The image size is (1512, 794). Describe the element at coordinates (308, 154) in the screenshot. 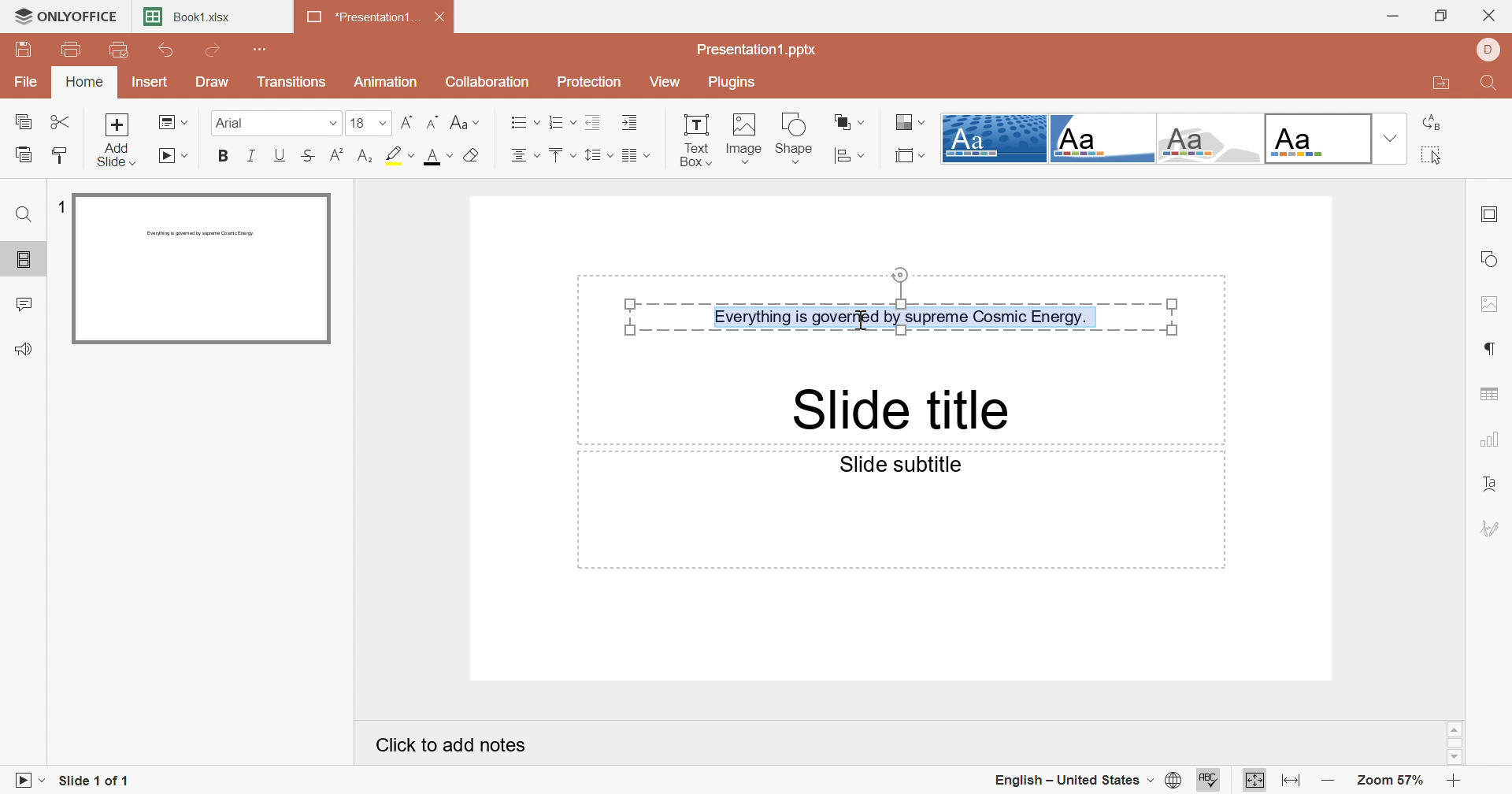

I see `Strikethrough` at that location.